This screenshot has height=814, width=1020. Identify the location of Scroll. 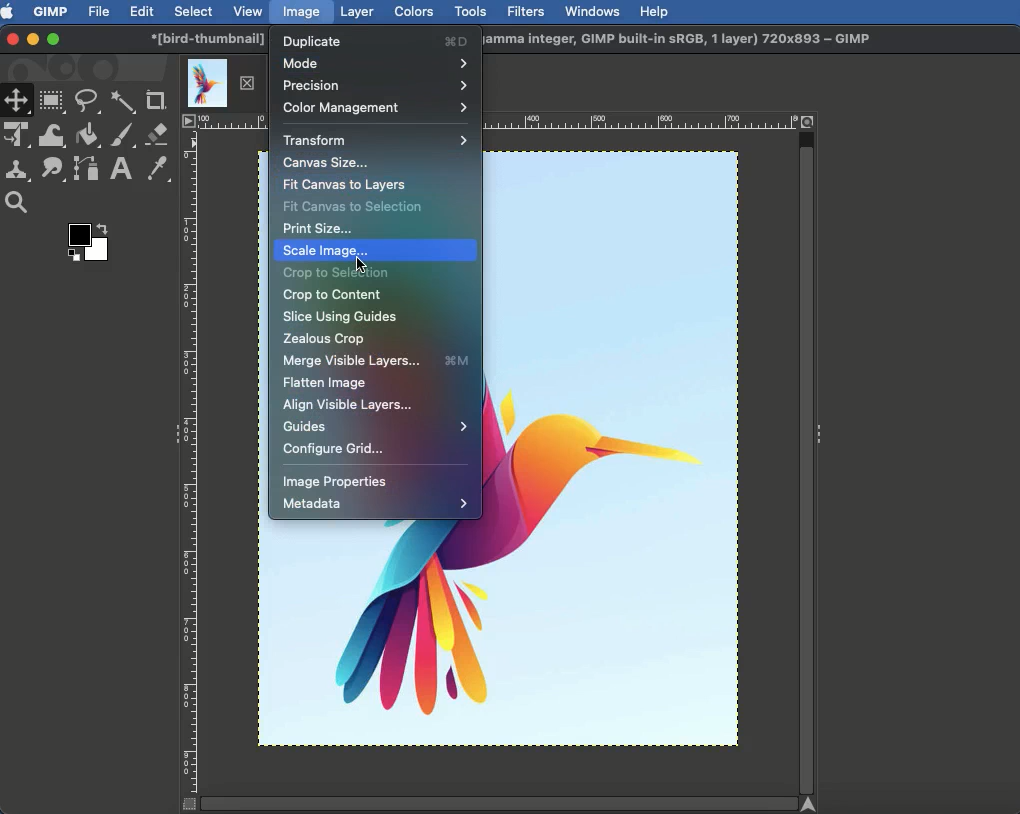
(808, 459).